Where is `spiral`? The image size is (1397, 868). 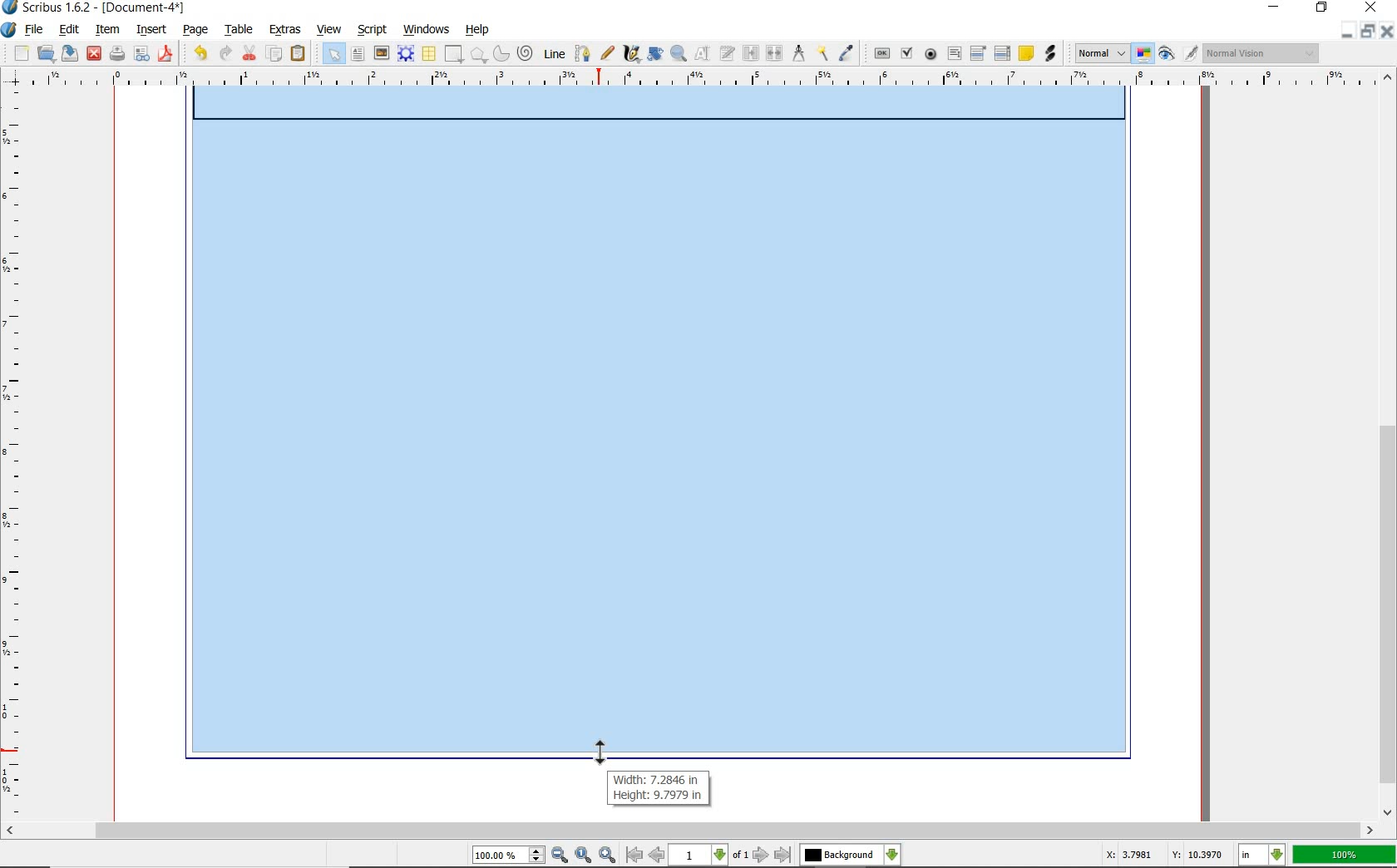 spiral is located at coordinates (526, 53).